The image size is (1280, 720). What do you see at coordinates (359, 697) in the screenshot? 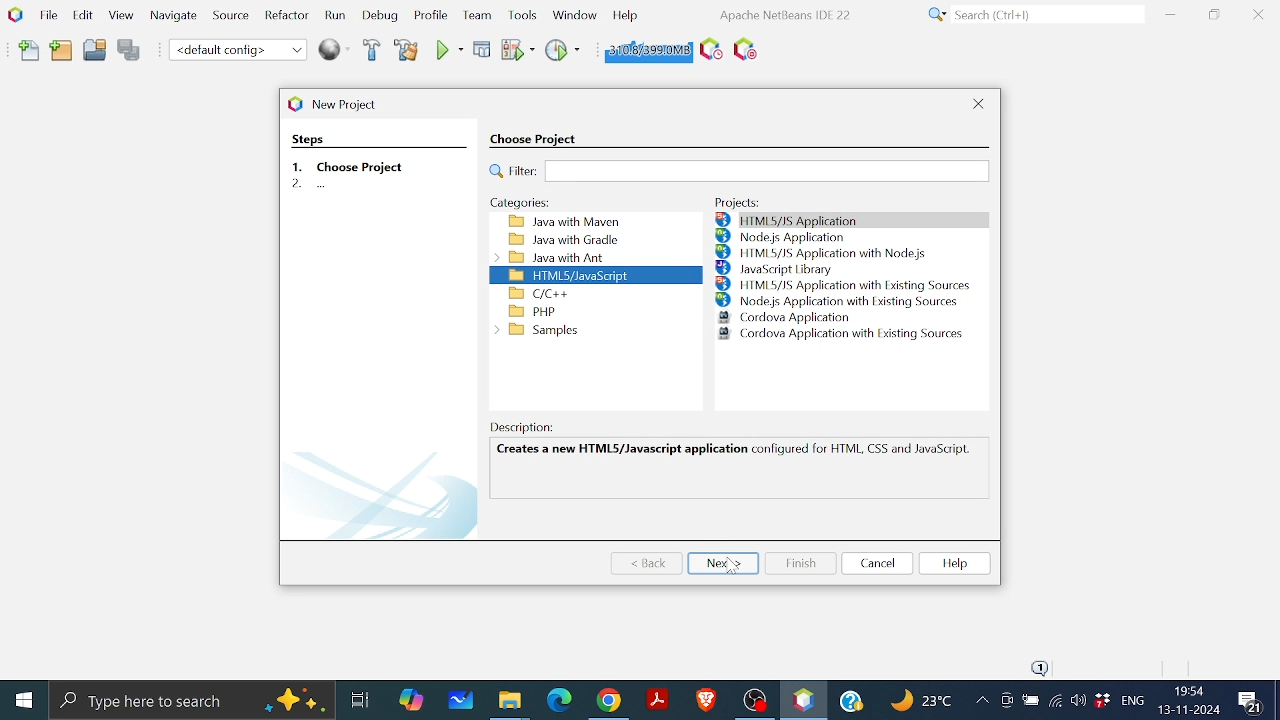
I see `Task view` at bounding box center [359, 697].